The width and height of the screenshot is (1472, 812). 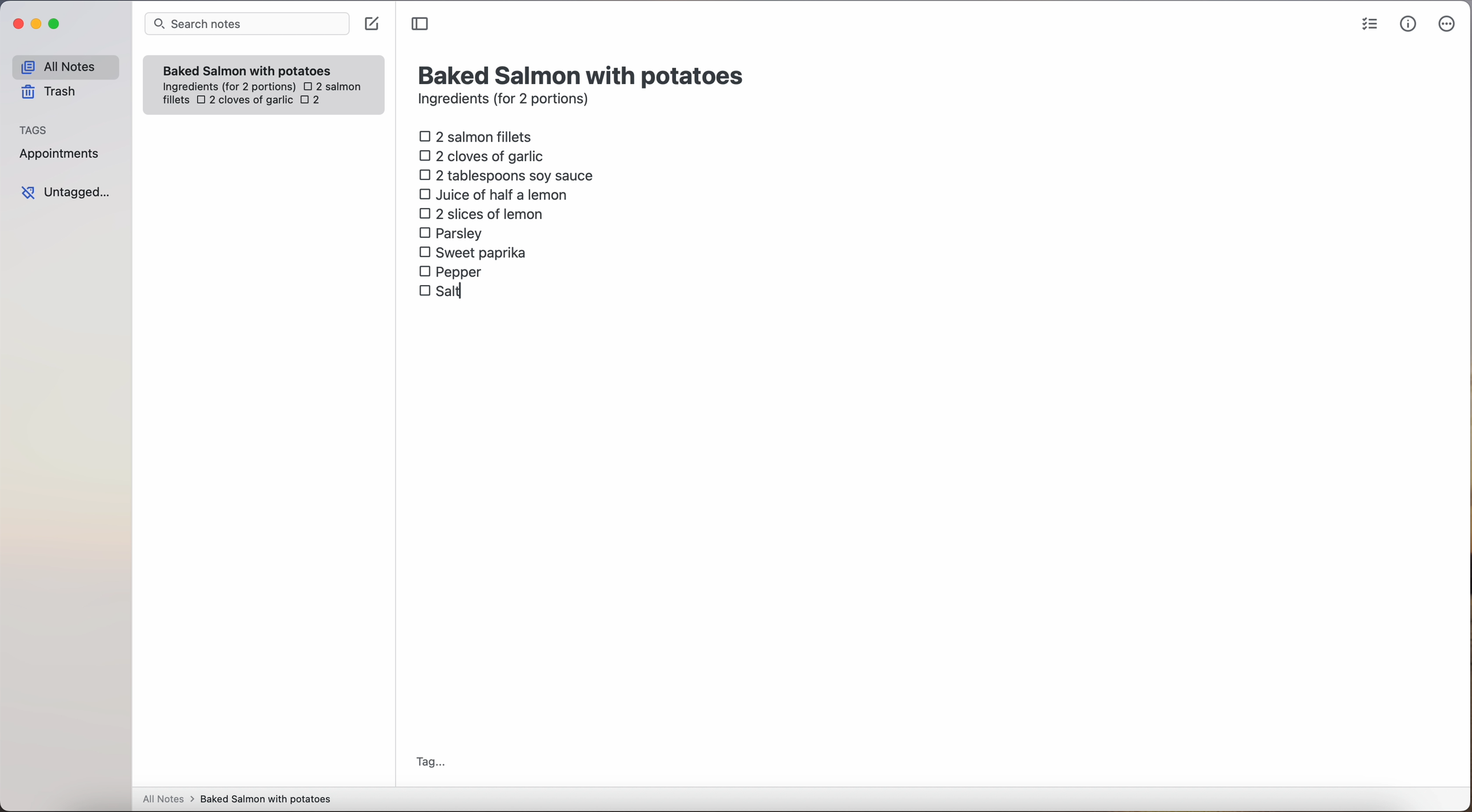 I want to click on sweet paprika, so click(x=475, y=253).